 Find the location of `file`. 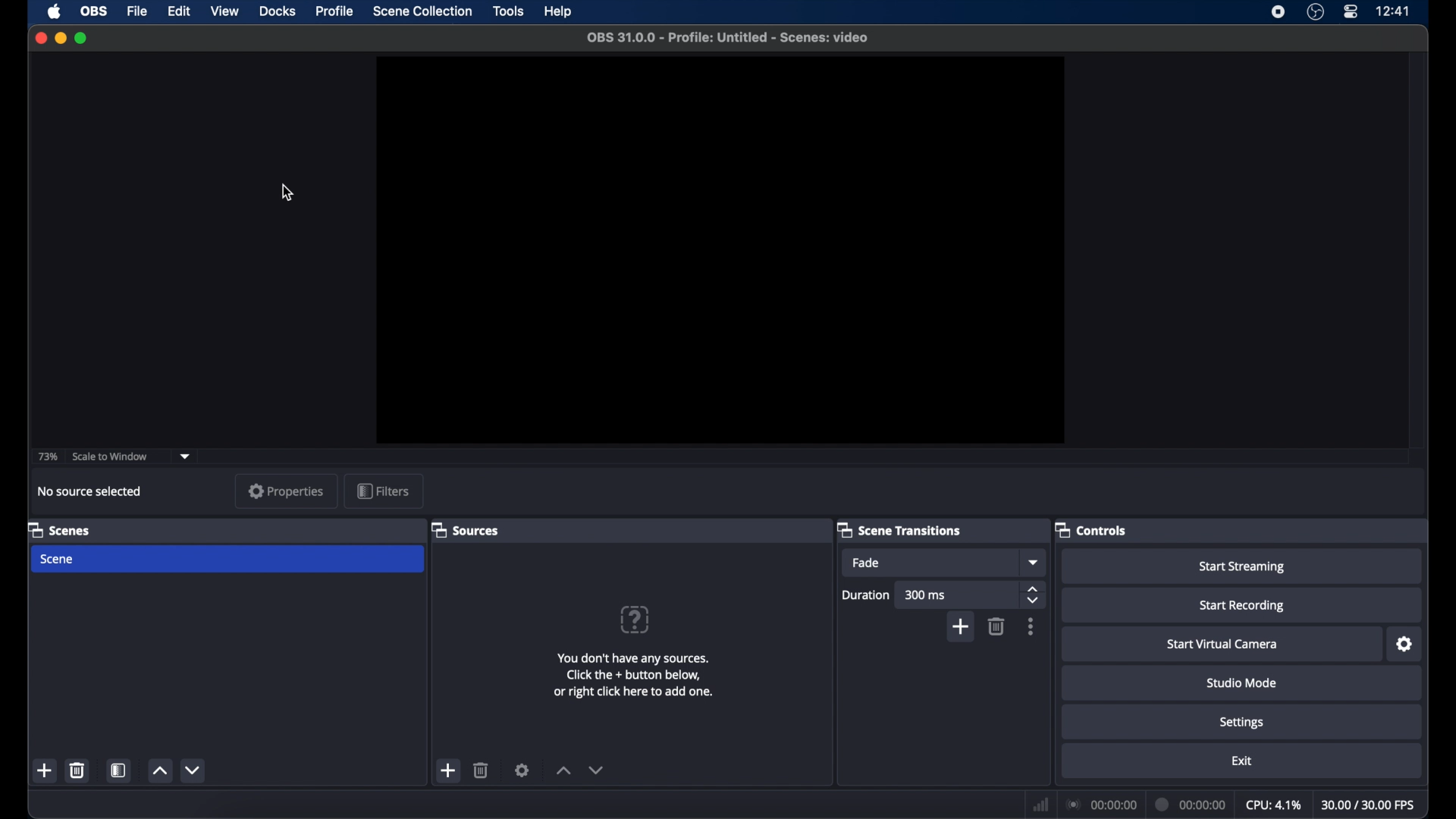

file is located at coordinates (137, 11).